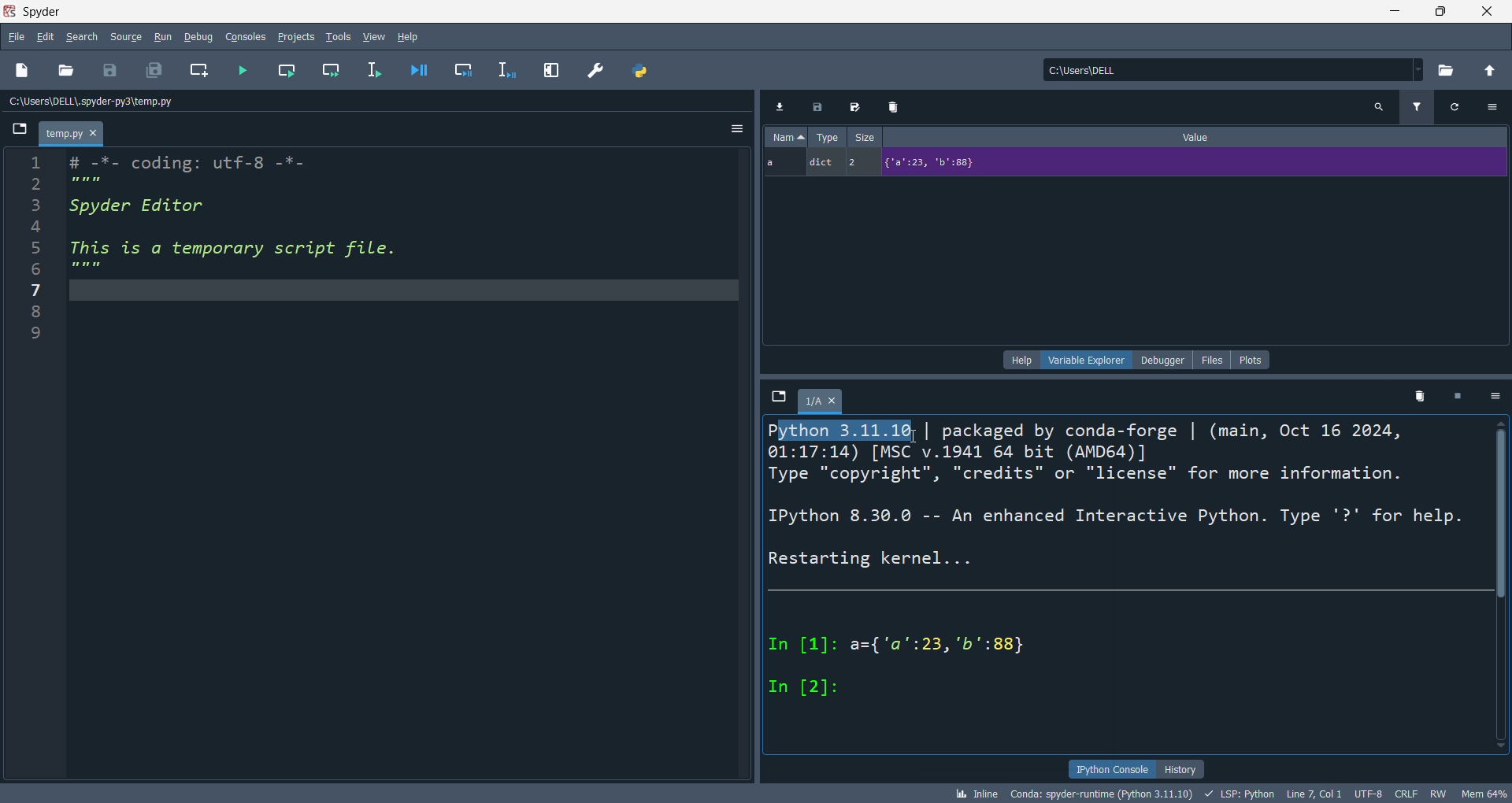 This screenshot has height=803, width=1512. What do you see at coordinates (1484, 793) in the screenshot?
I see `mem 64%` at bounding box center [1484, 793].